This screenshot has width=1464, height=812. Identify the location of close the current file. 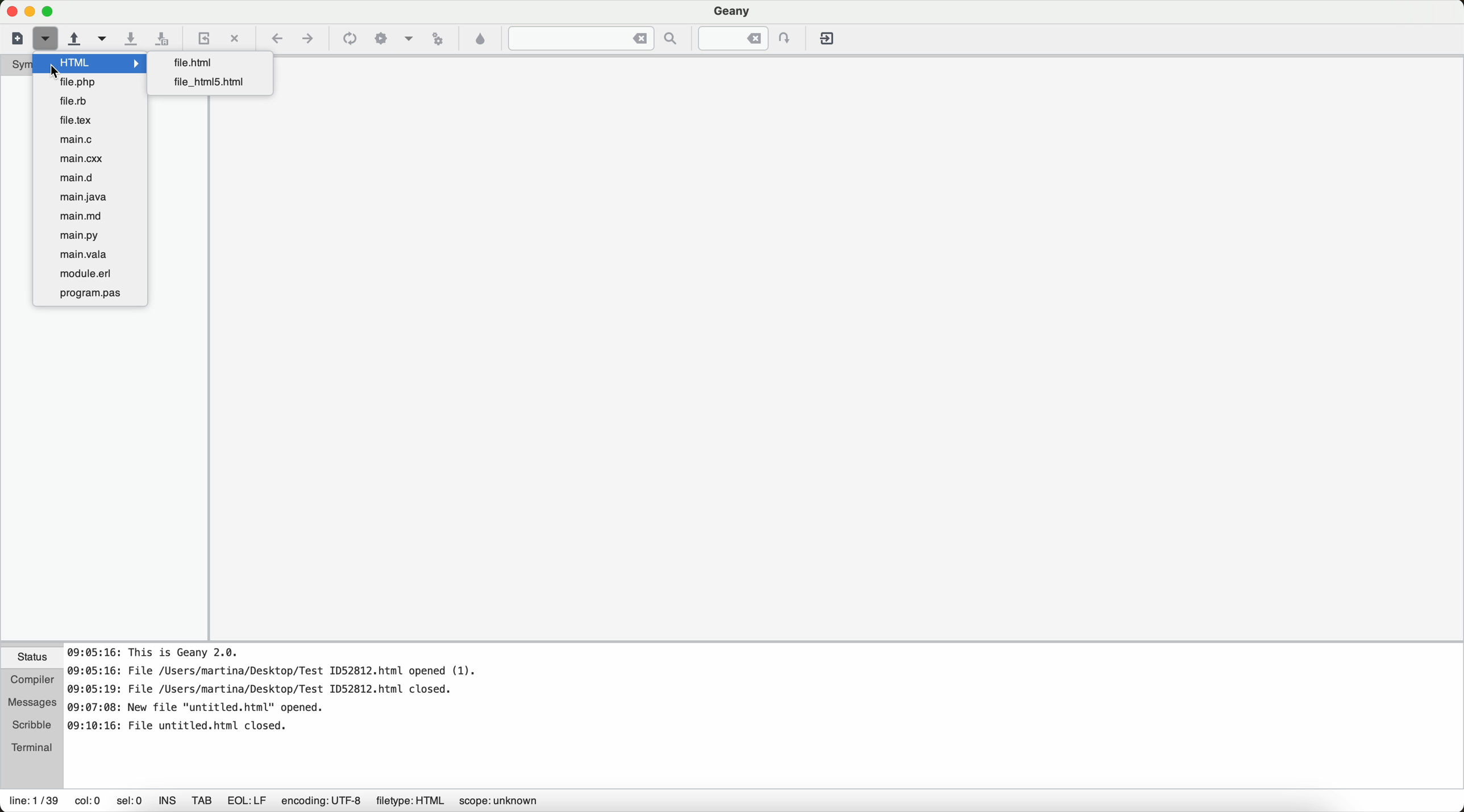
(232, 39).